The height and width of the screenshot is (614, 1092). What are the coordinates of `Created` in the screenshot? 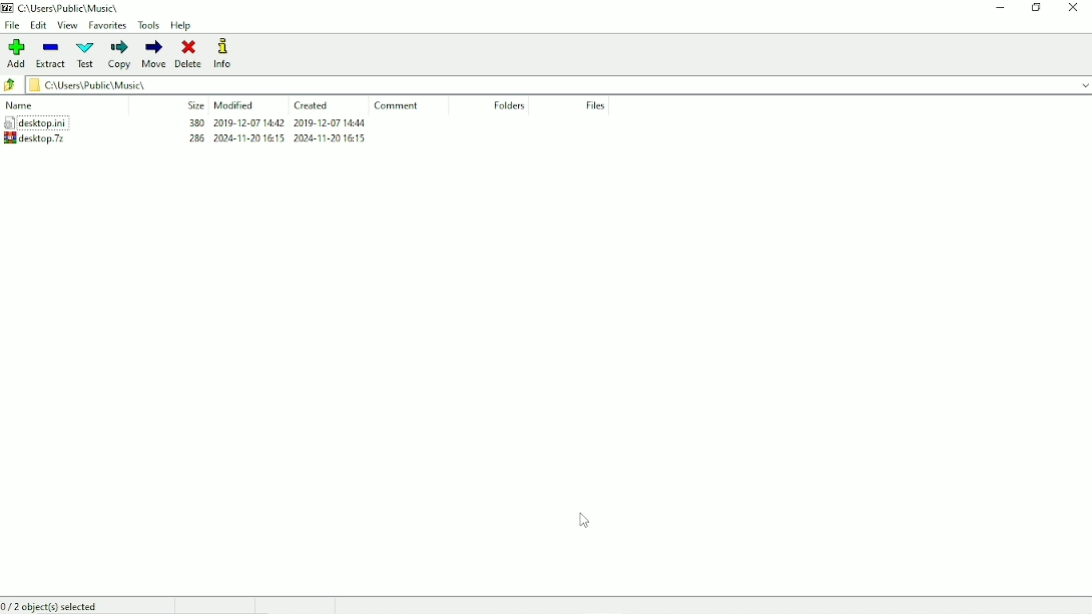 It's located at (312, 106).